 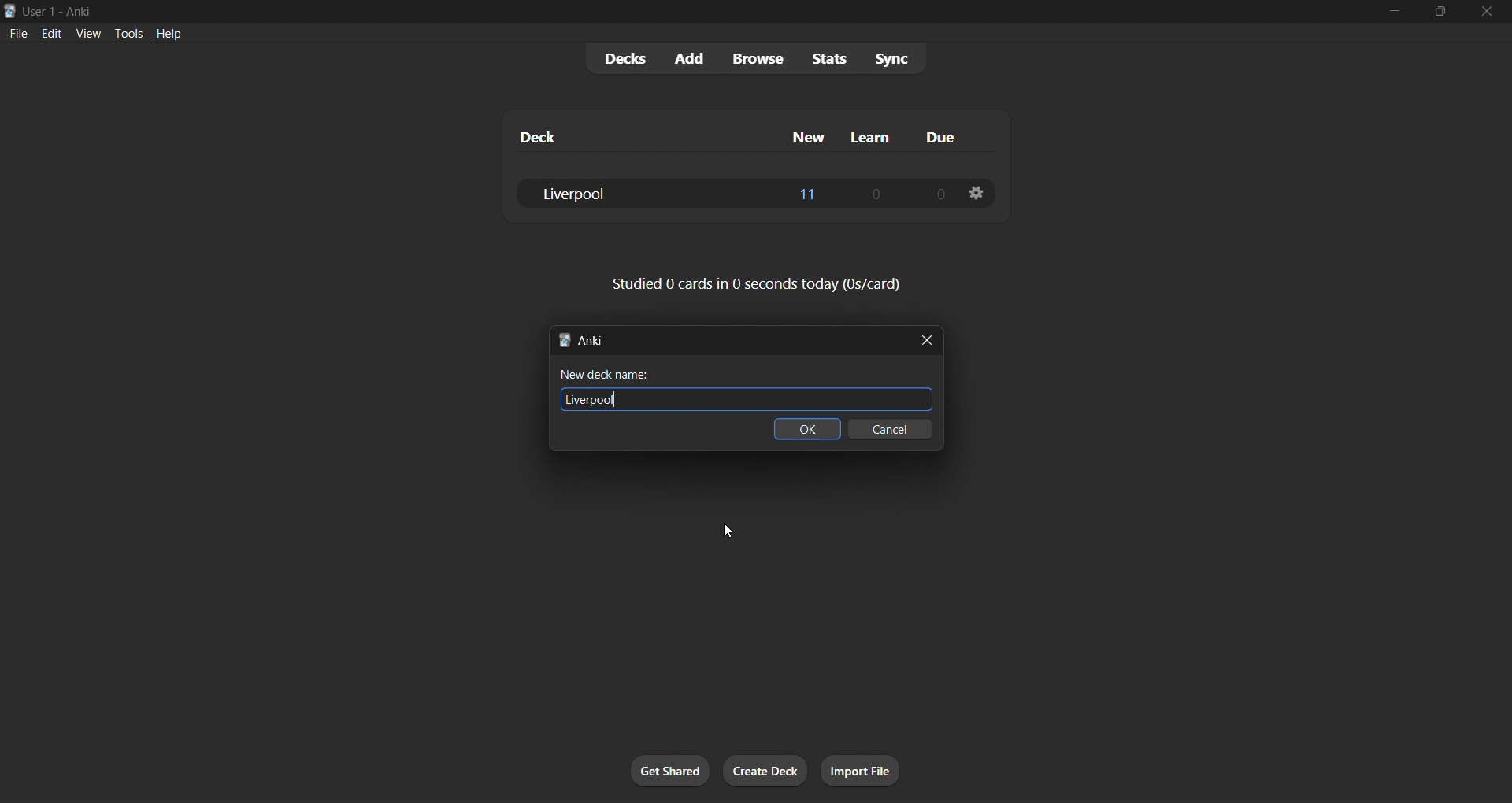 I want to click on Liverpool, so click(x=750, y=398).